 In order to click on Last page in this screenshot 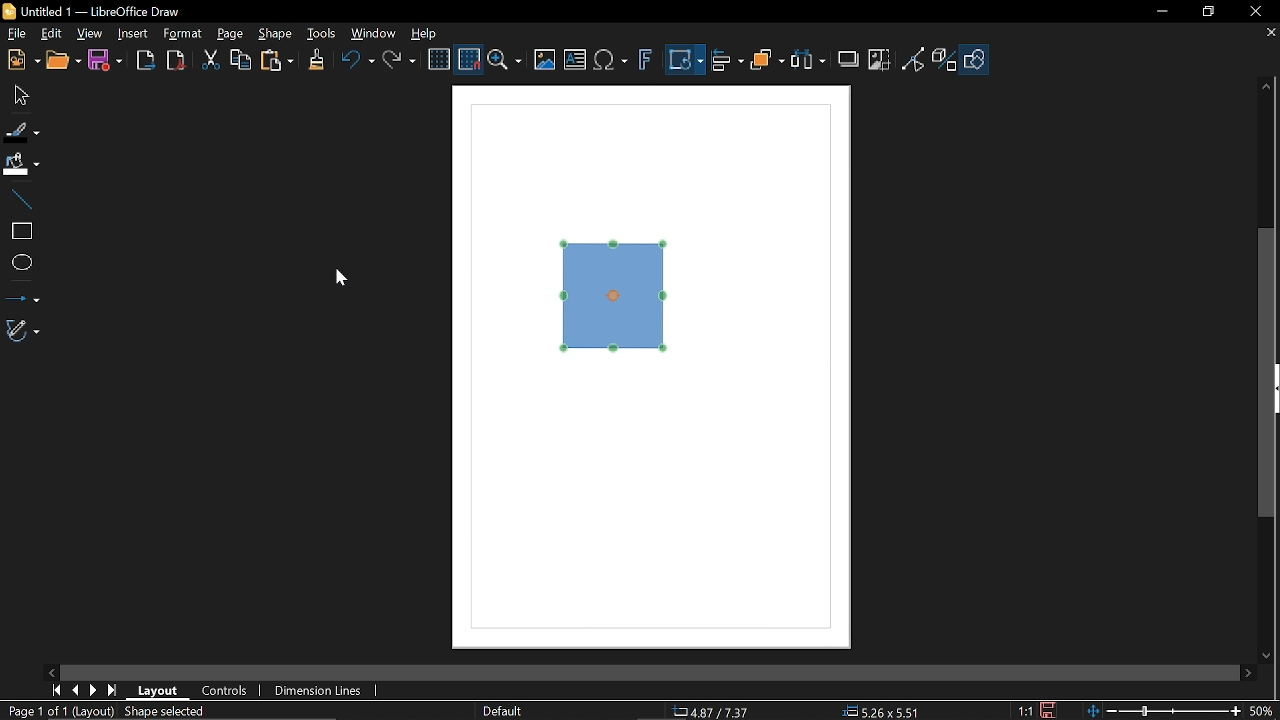, I will do `click(112, 691)`.